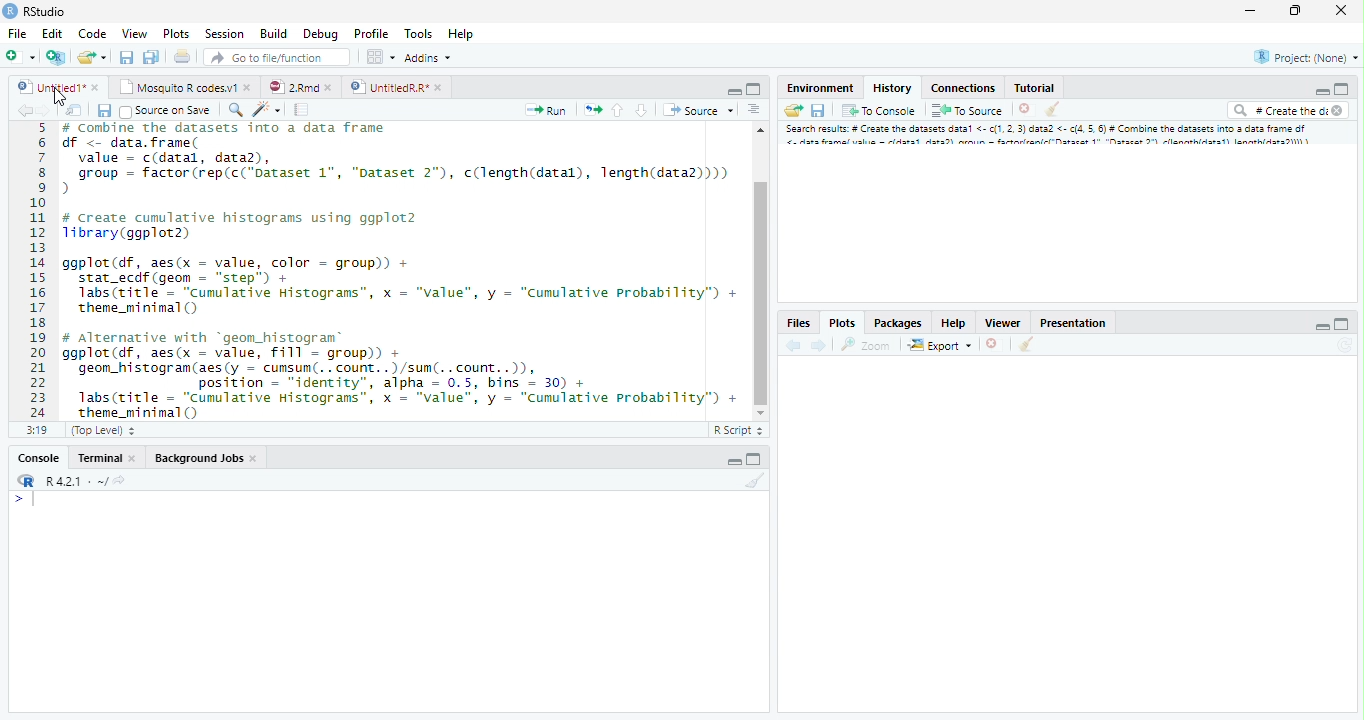 The height and width of the screenshot is (720, 1364). What do you see at coordinates (104, 111) in the screenshot?
I see `Save` at bounding box center [104, 111].